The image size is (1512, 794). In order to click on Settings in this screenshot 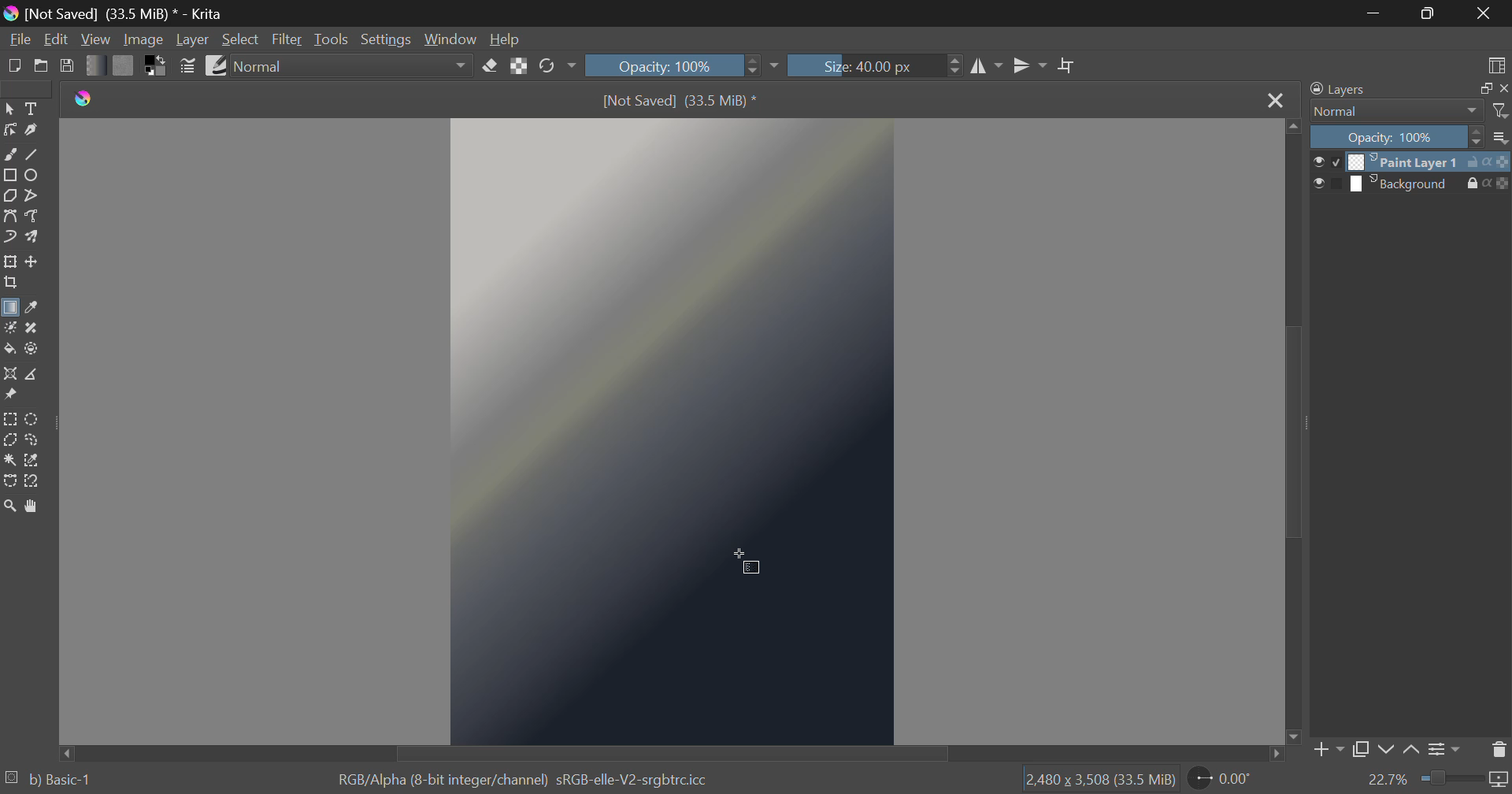, I will do `click(384, 39)`.